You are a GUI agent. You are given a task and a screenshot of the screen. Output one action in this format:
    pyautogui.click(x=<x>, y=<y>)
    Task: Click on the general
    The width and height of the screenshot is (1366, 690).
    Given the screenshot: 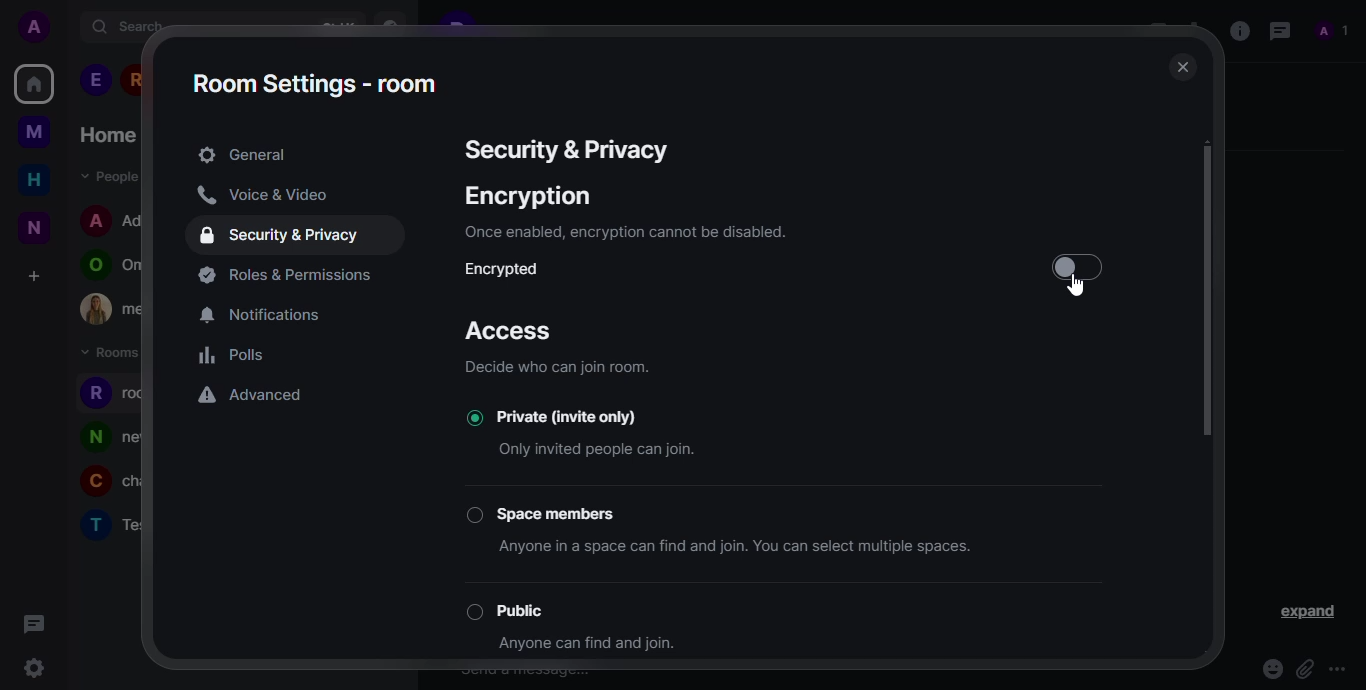 What is the action you would take?
    pyautogui.click(x=244, y=152)
    